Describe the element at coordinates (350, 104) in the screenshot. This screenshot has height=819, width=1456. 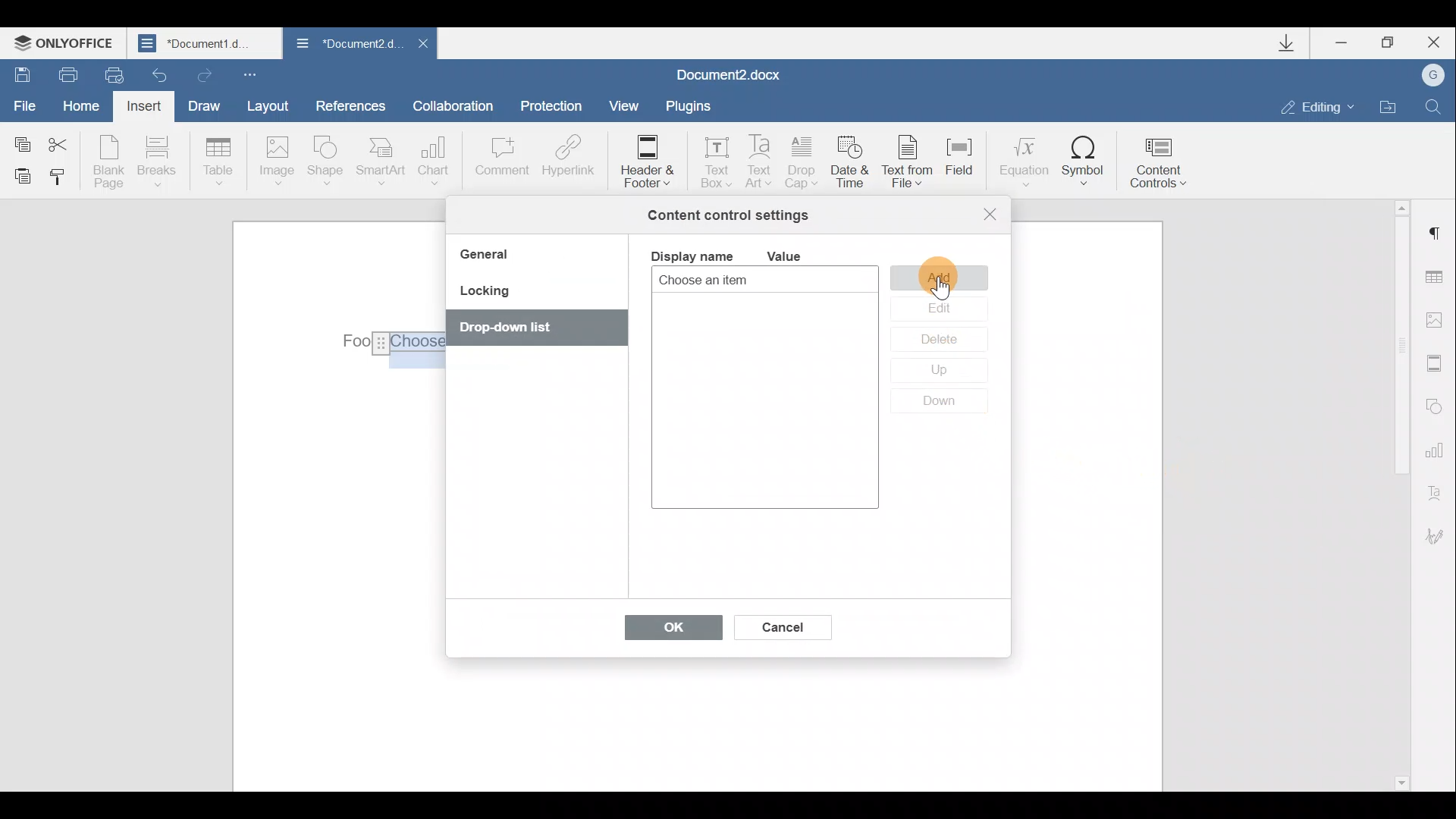
I see `References` at that location.